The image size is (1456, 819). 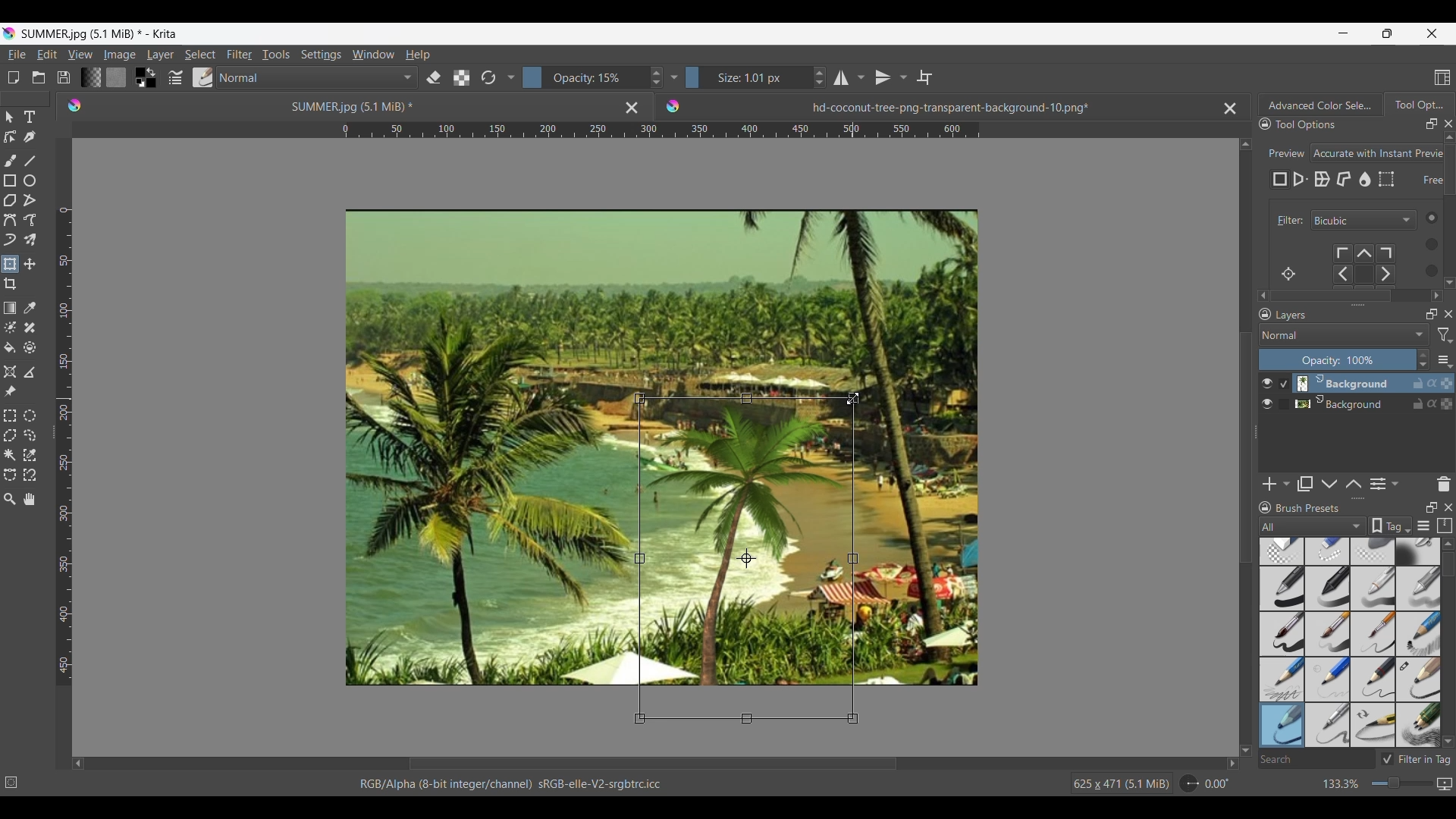 I want to click on Cursor unchanged, left mouse button selected, so click(x=853, y=398).